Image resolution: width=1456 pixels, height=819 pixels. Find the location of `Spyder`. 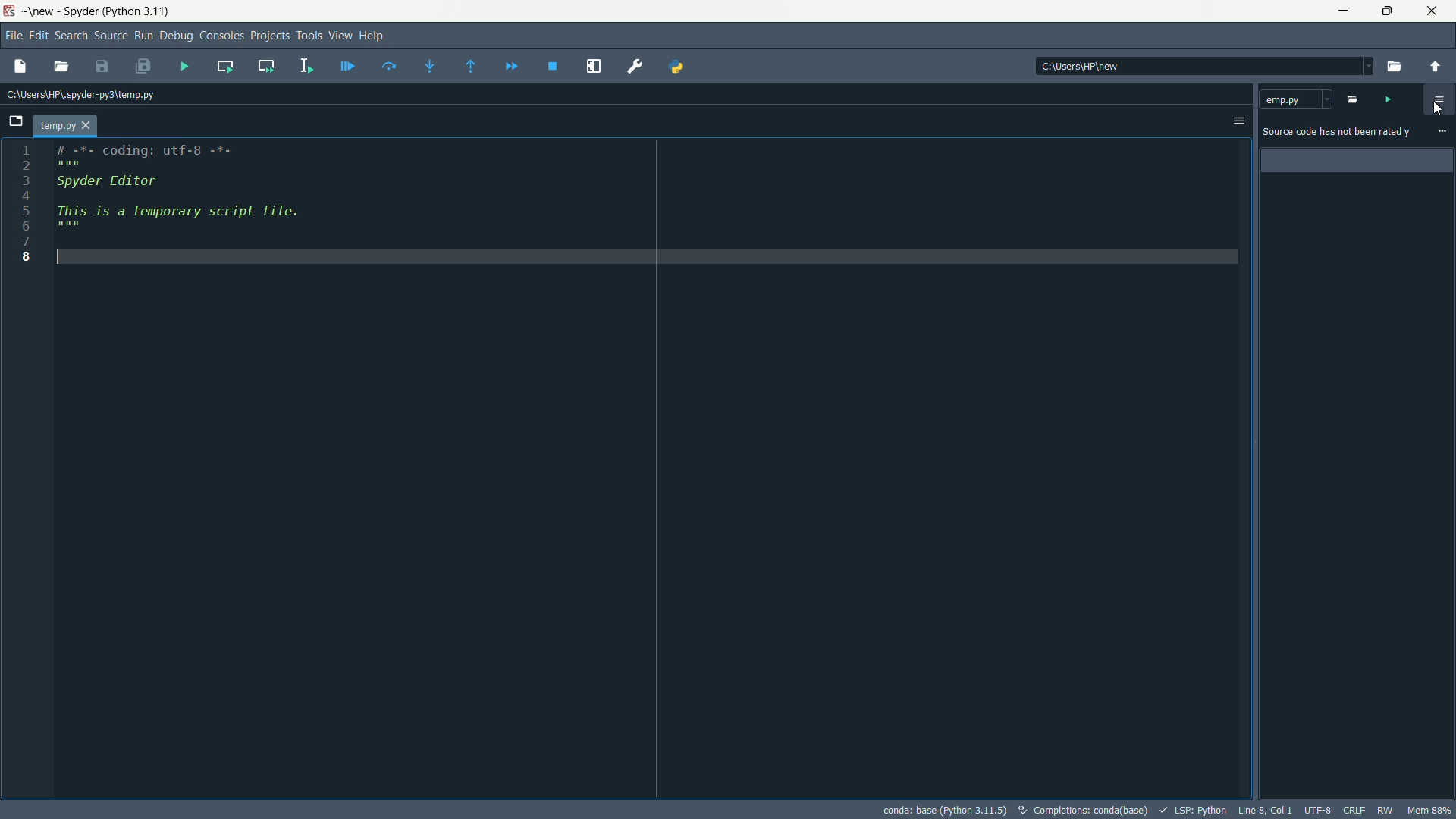

Spyder is located at coordinates (80, 12).